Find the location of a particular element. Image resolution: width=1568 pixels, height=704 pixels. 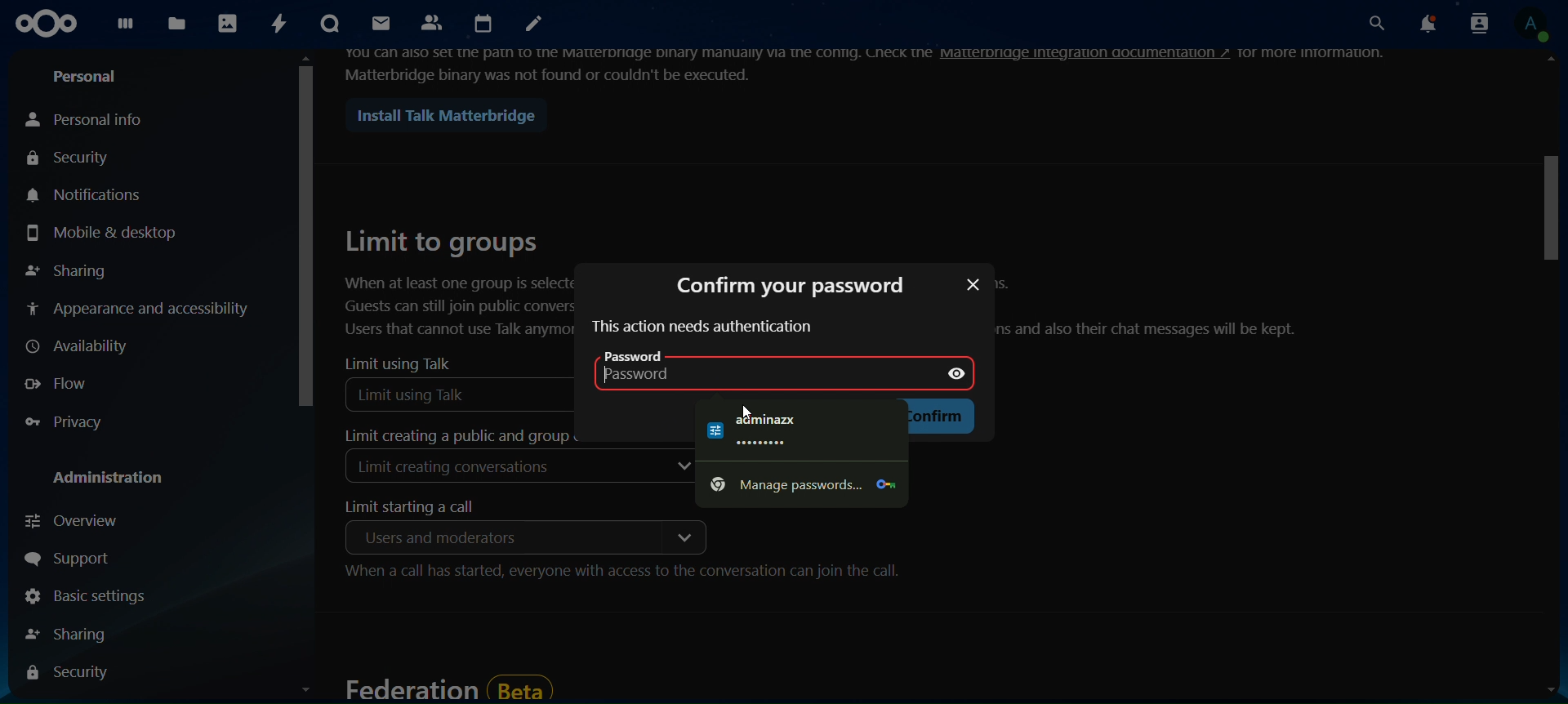

dropdown is located at coordinates (682, 468).